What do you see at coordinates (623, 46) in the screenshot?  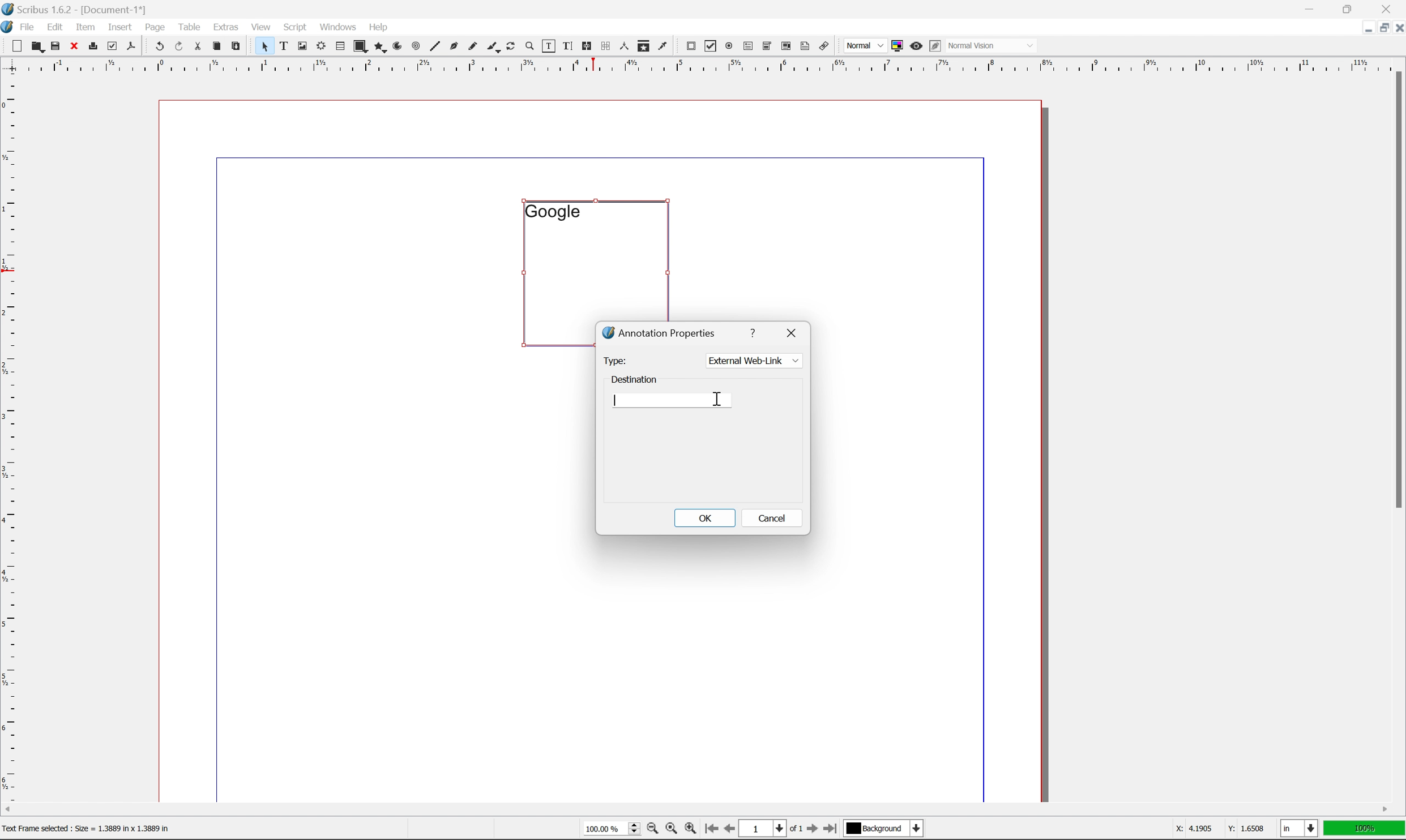 I see `measurements` at bounding box center [623, 46].